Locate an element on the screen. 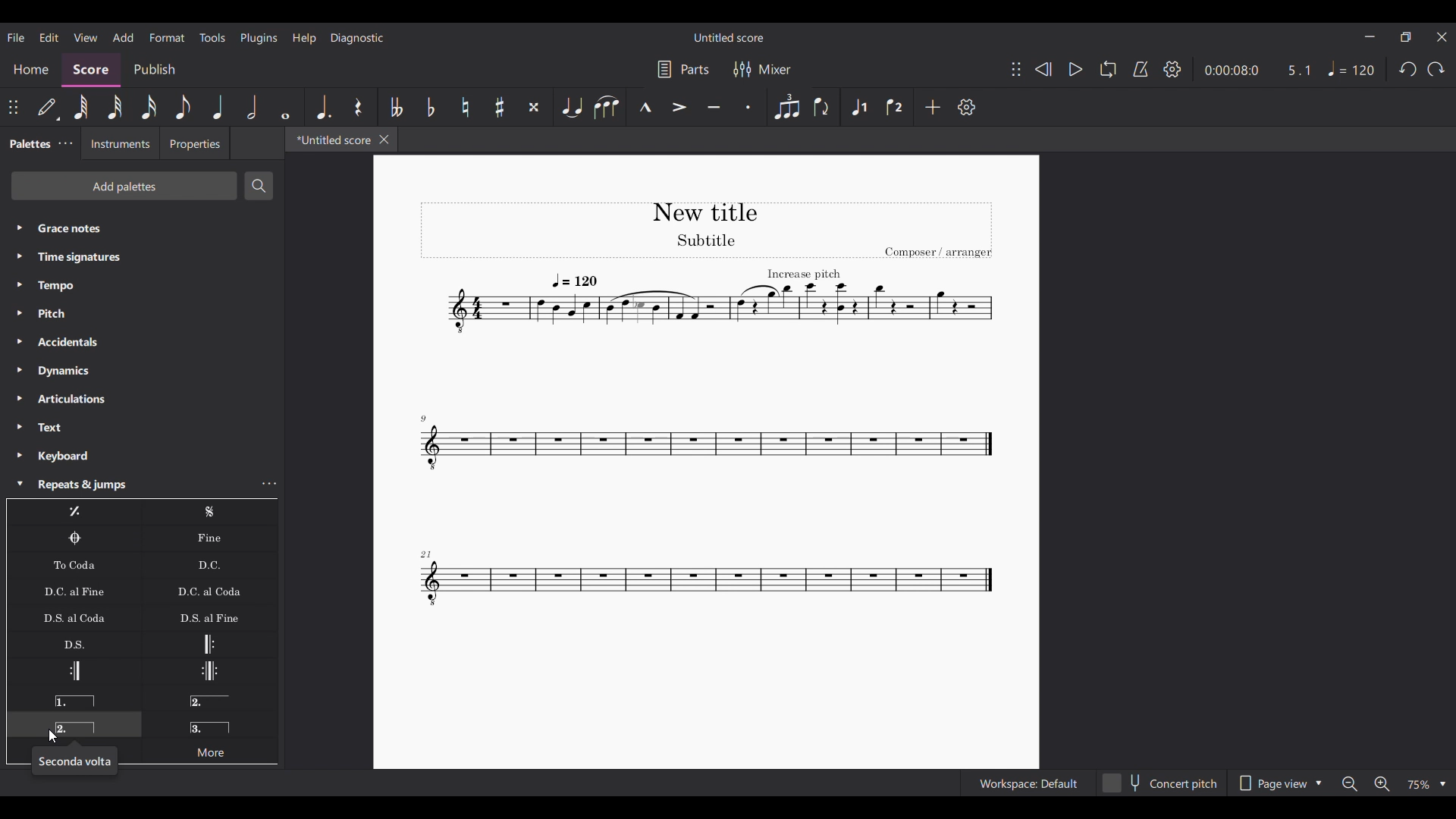 Image resolution: width=1456 pixels, height=819 pixels. Right (end) repeat sign is located at coordinates (74, 671).